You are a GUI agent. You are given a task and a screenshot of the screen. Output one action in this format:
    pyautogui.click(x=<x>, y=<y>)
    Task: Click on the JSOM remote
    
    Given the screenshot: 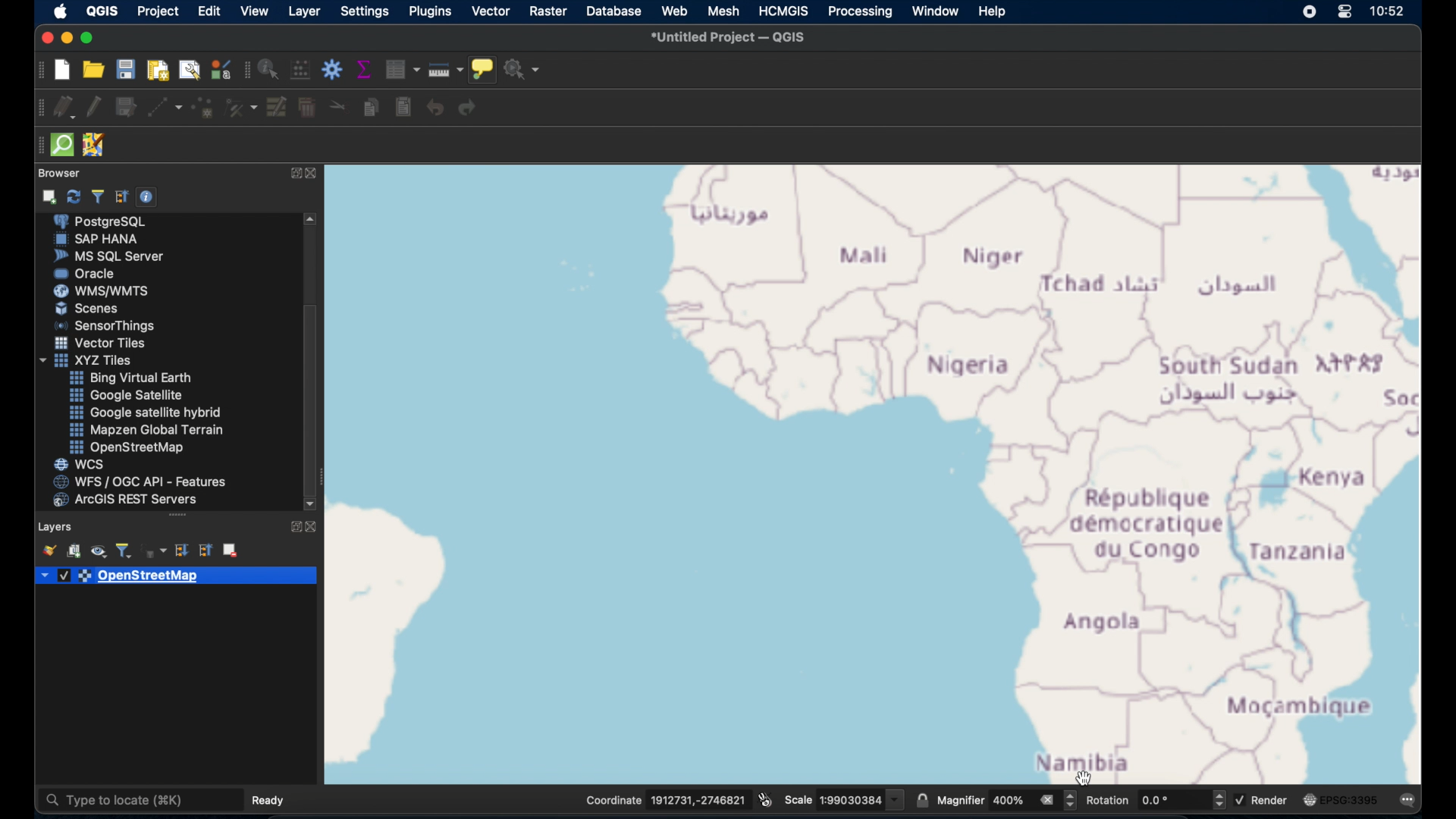 What is the action you would take?
    pyautogui.click(x=96, y=145)
    